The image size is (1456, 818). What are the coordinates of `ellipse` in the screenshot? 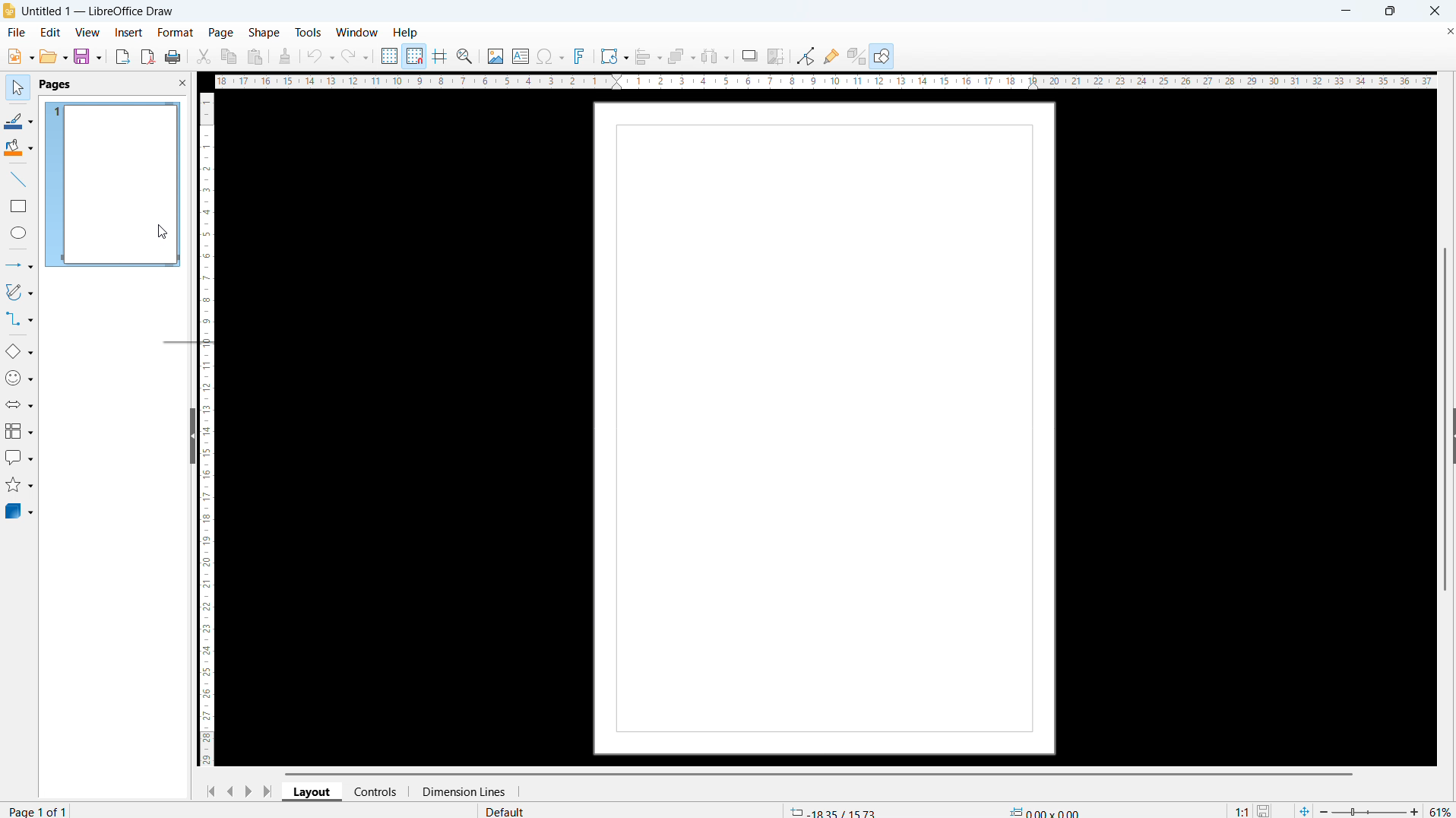 It's located at (20, 233).